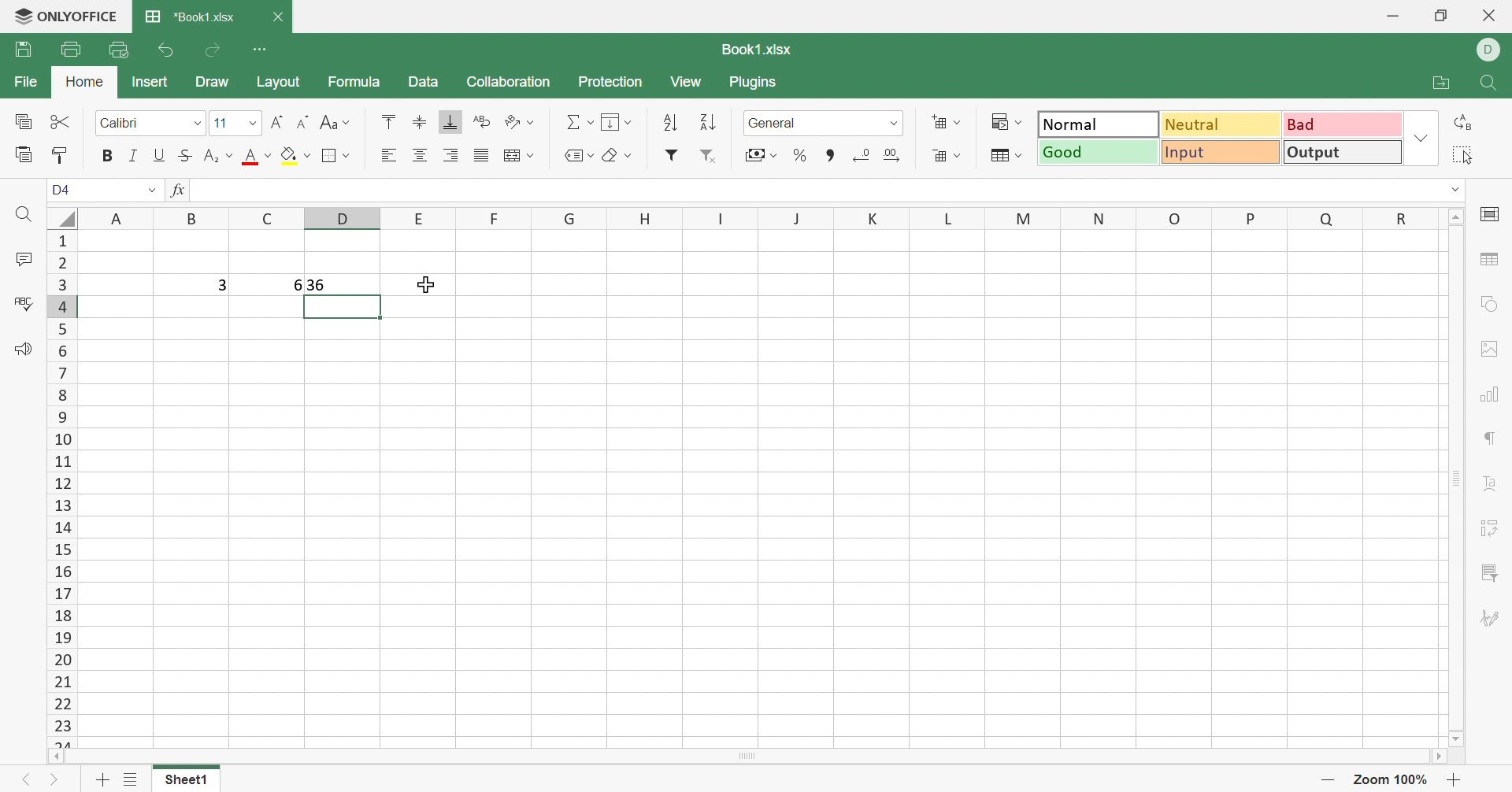  Describe the element at coordinates (194, 17) in the screenshot. I see `*Book1.xlsx` at that location.